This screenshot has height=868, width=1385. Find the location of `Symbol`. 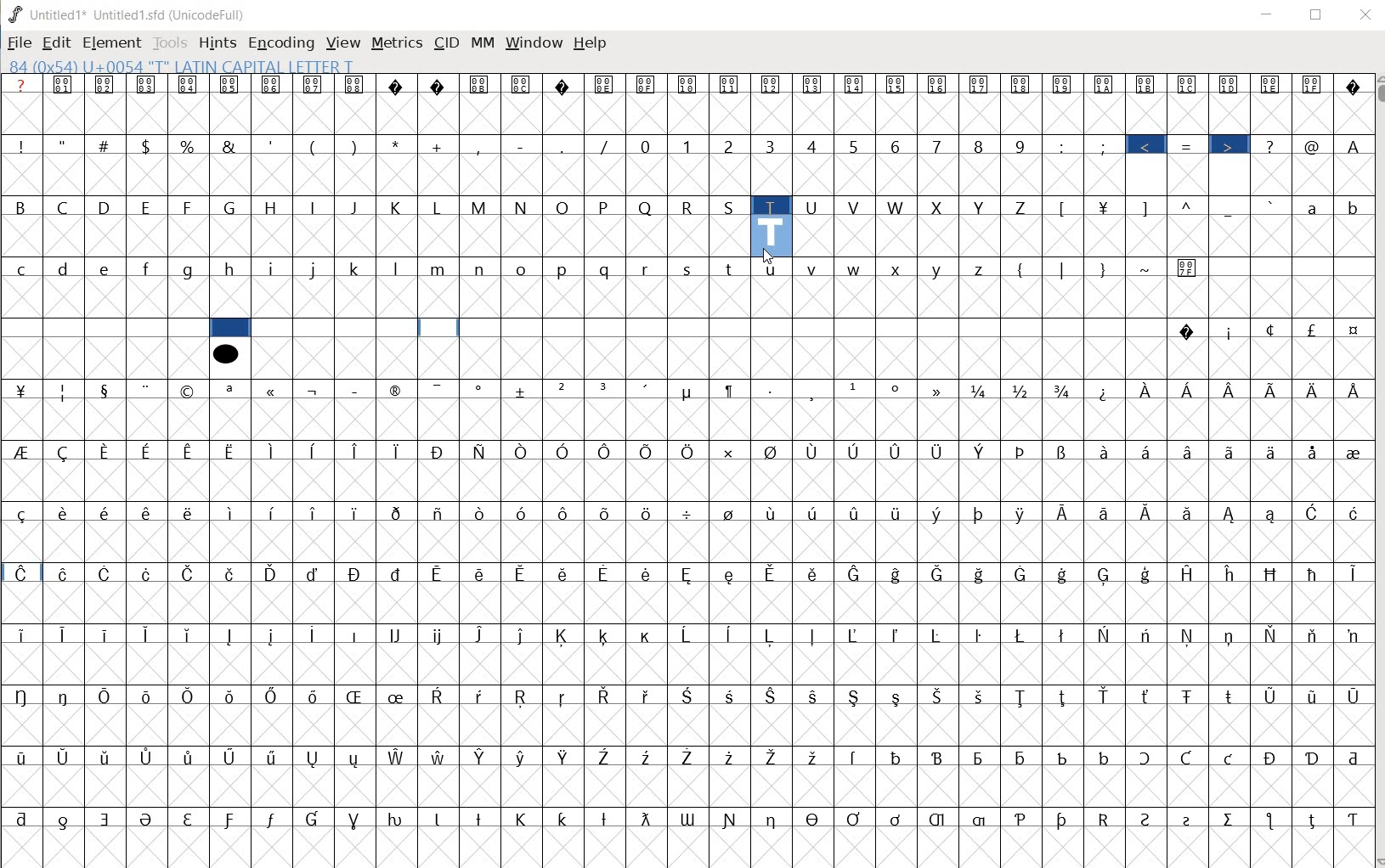

Symbol is located at coordinates (315, 758).